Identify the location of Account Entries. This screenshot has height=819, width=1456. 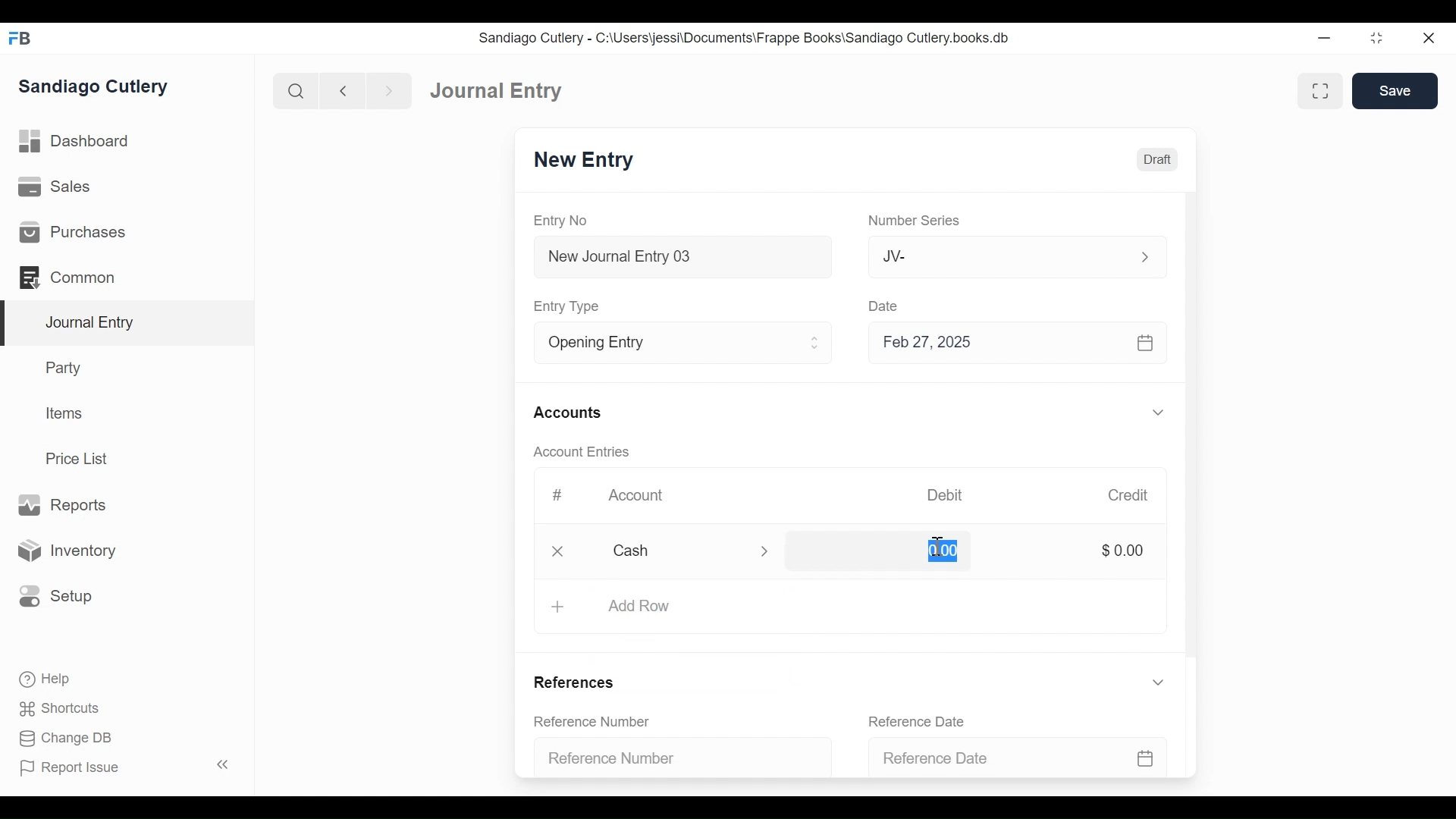
(580, 452).